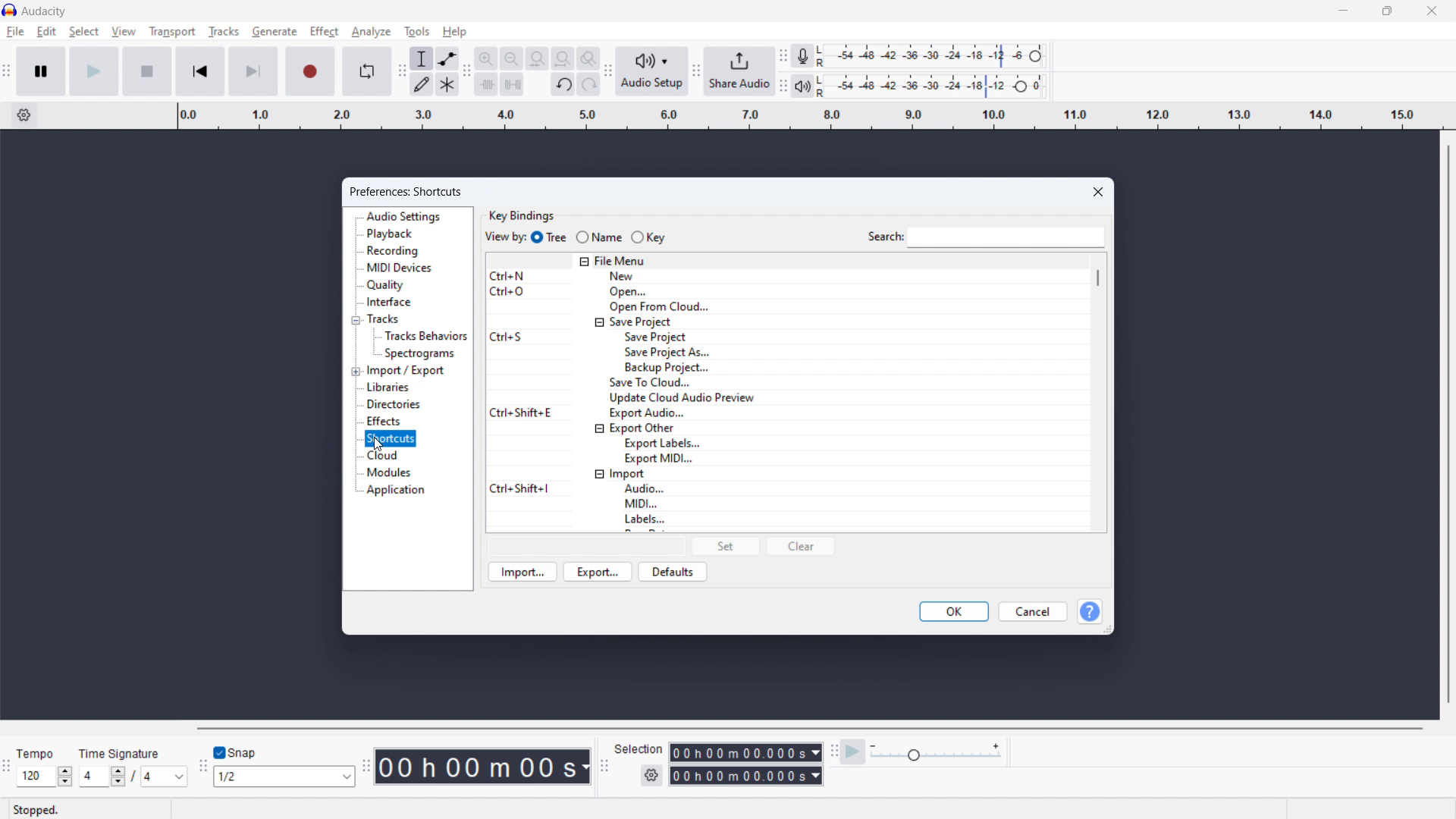  Describe the element at coordinates (392, 234) in the screenshot. I see `playback` at that location.